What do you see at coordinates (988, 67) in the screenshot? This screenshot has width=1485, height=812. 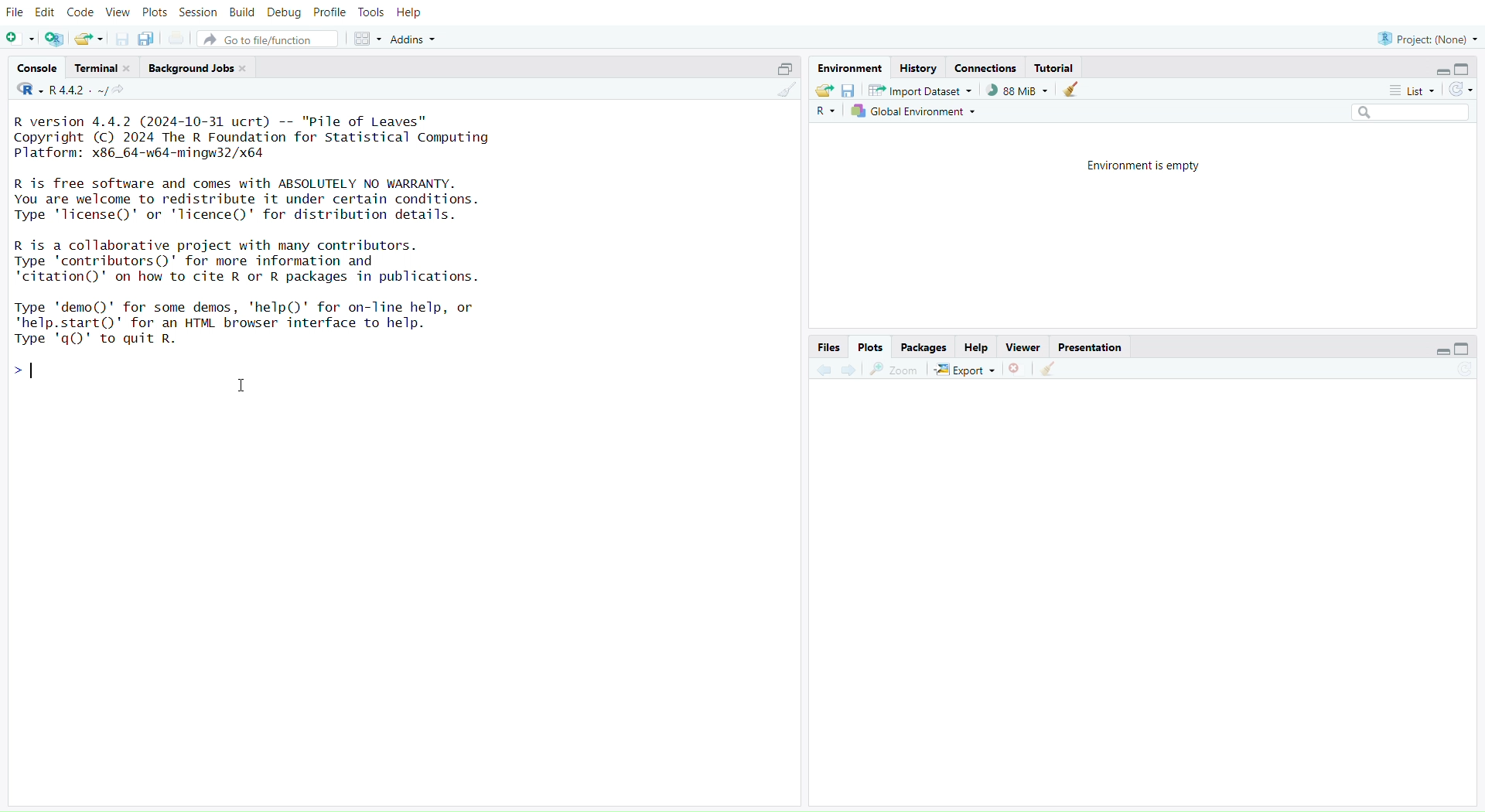 I see `connections` at bounding box center [988, 67].